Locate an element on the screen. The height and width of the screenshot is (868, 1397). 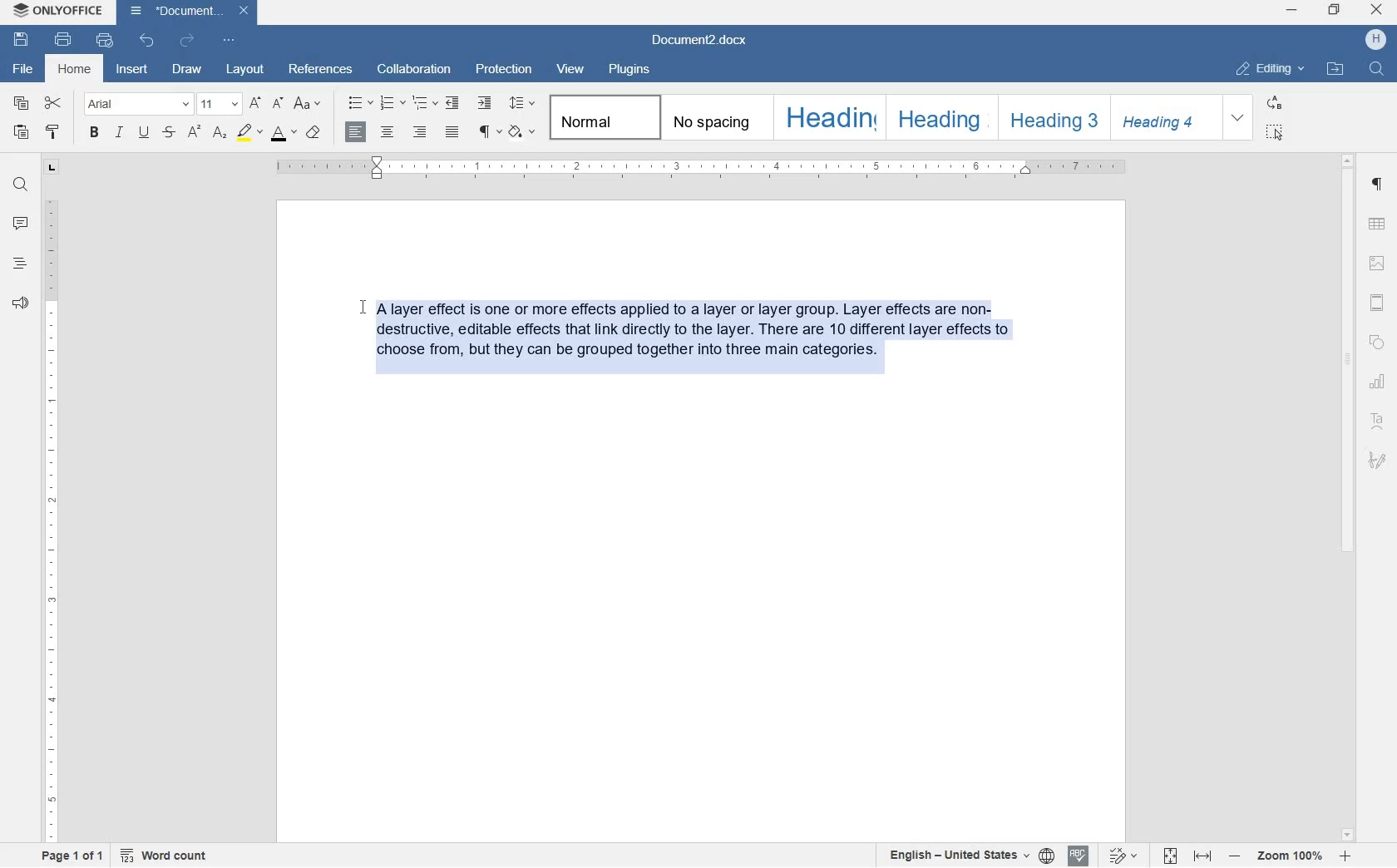
find is located at coordinates (20, 184).